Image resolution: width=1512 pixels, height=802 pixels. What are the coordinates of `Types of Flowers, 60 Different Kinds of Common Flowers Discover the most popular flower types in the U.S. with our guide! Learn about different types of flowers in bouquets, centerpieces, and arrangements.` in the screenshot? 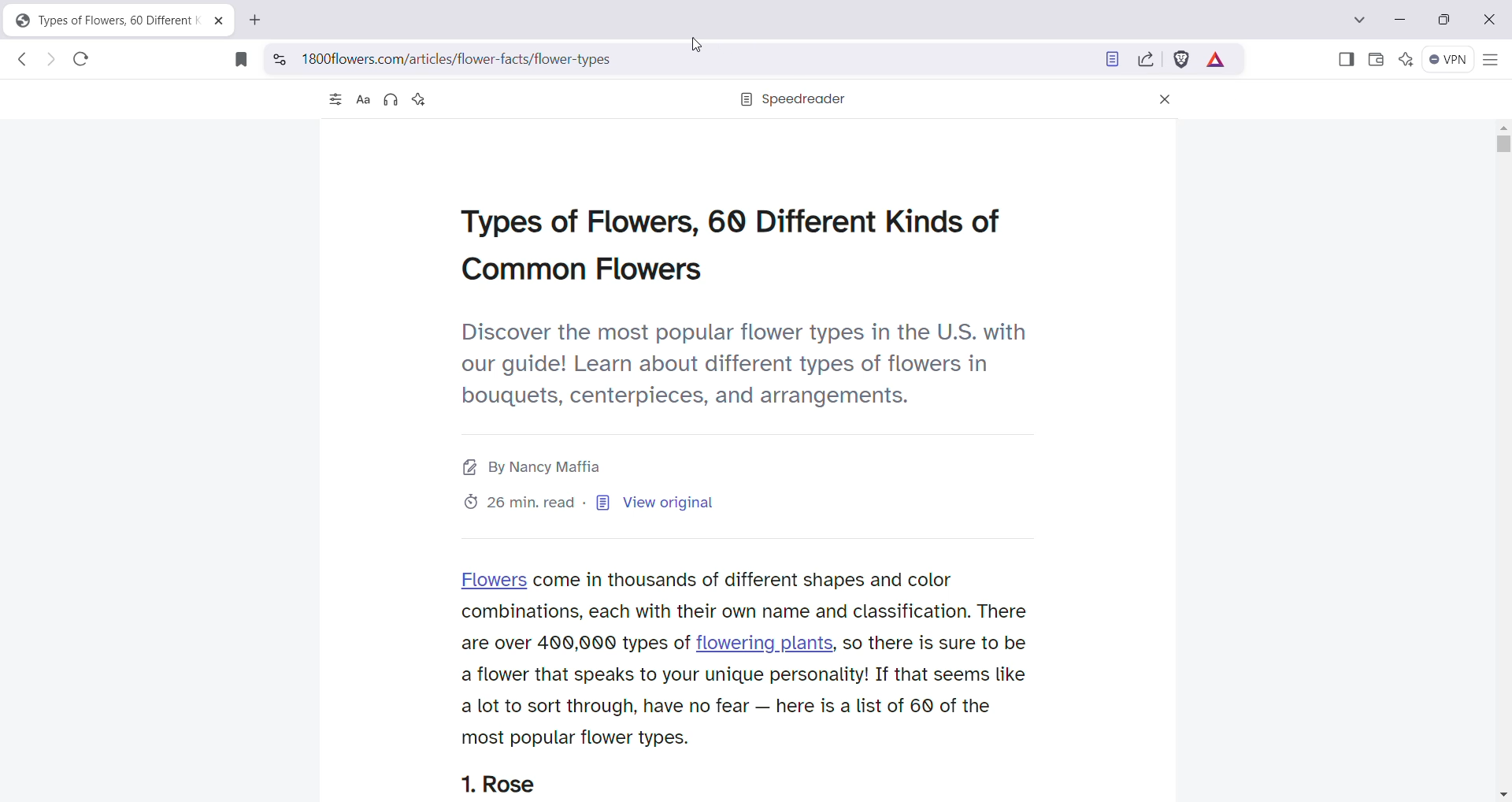 It's located at (743, 308).